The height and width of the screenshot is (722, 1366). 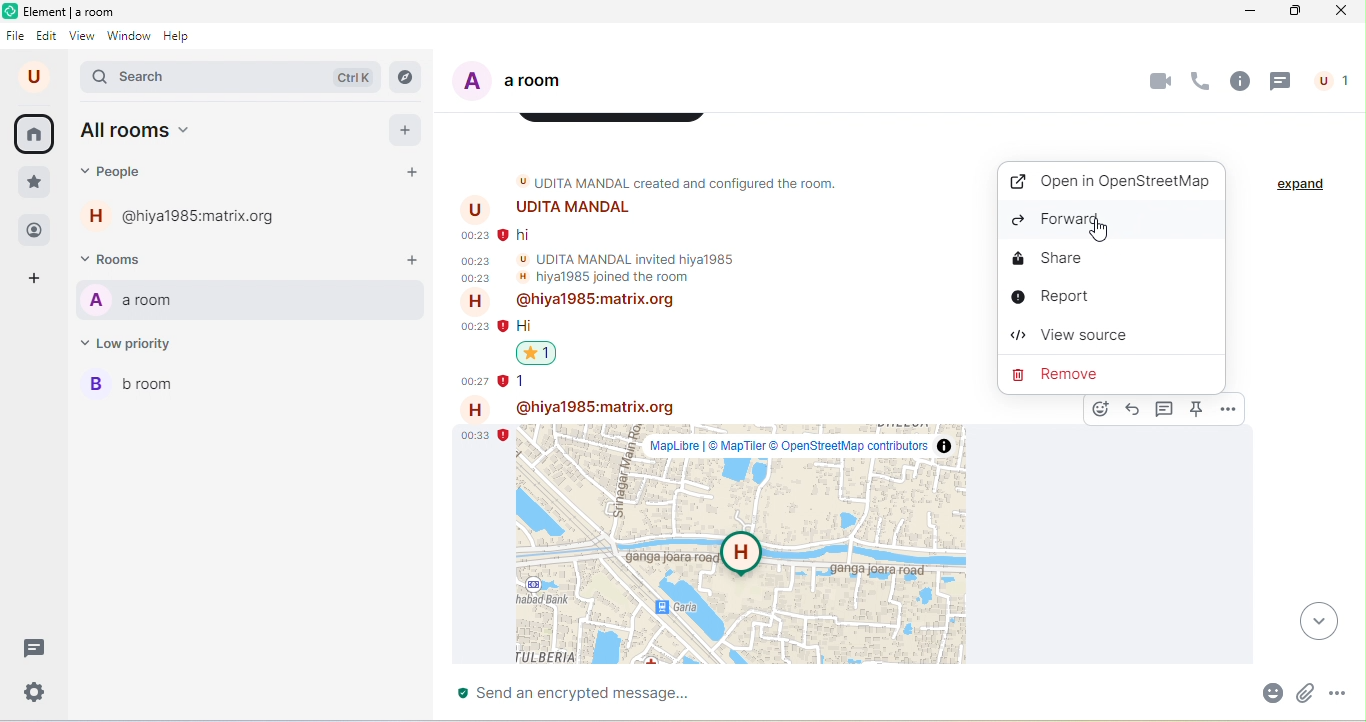 I want to click on open in OpenStreetMap, so click(x=1112, y=181).